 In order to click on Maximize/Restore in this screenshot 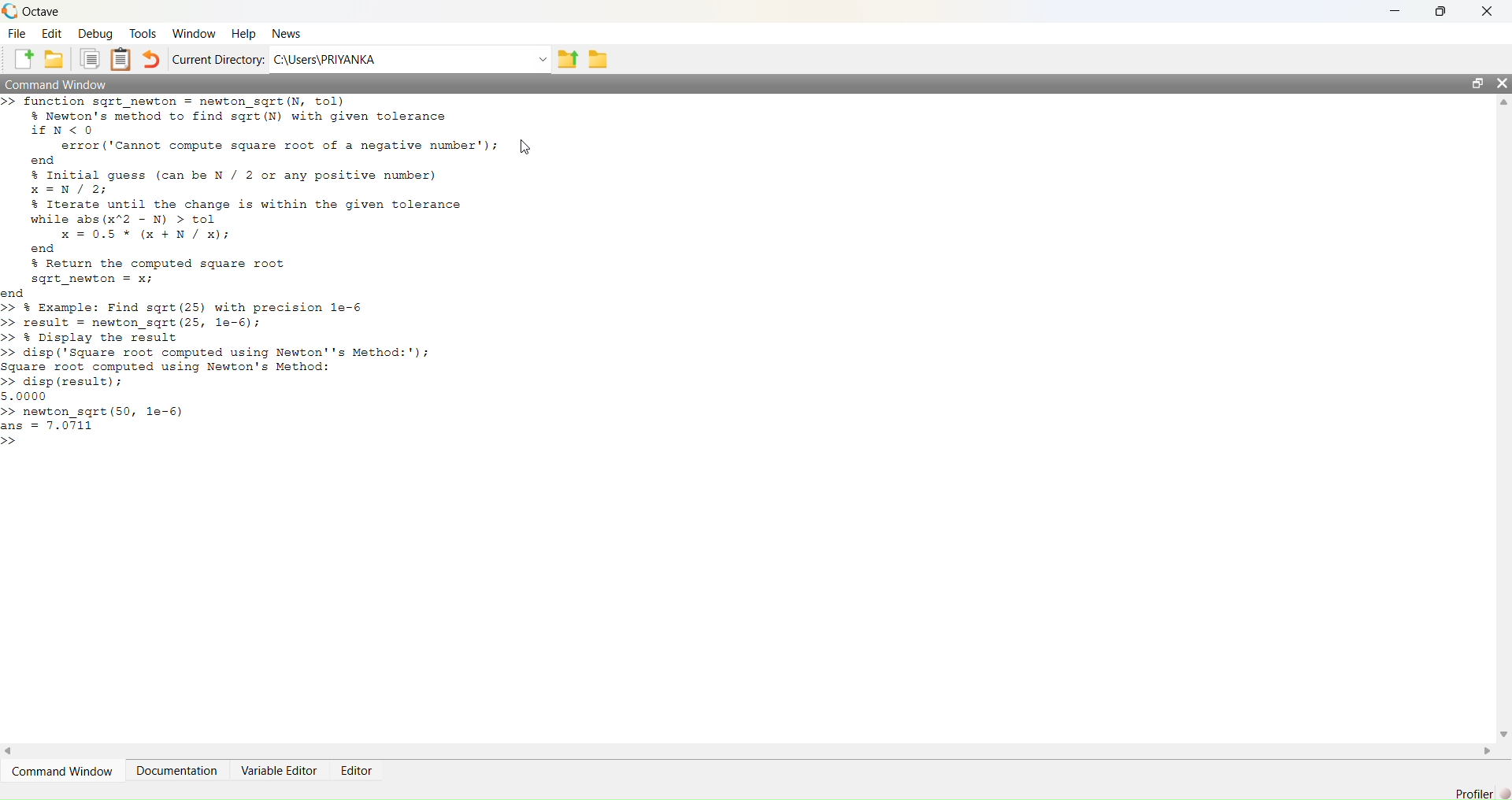, I will do `click(1478, 84)`.